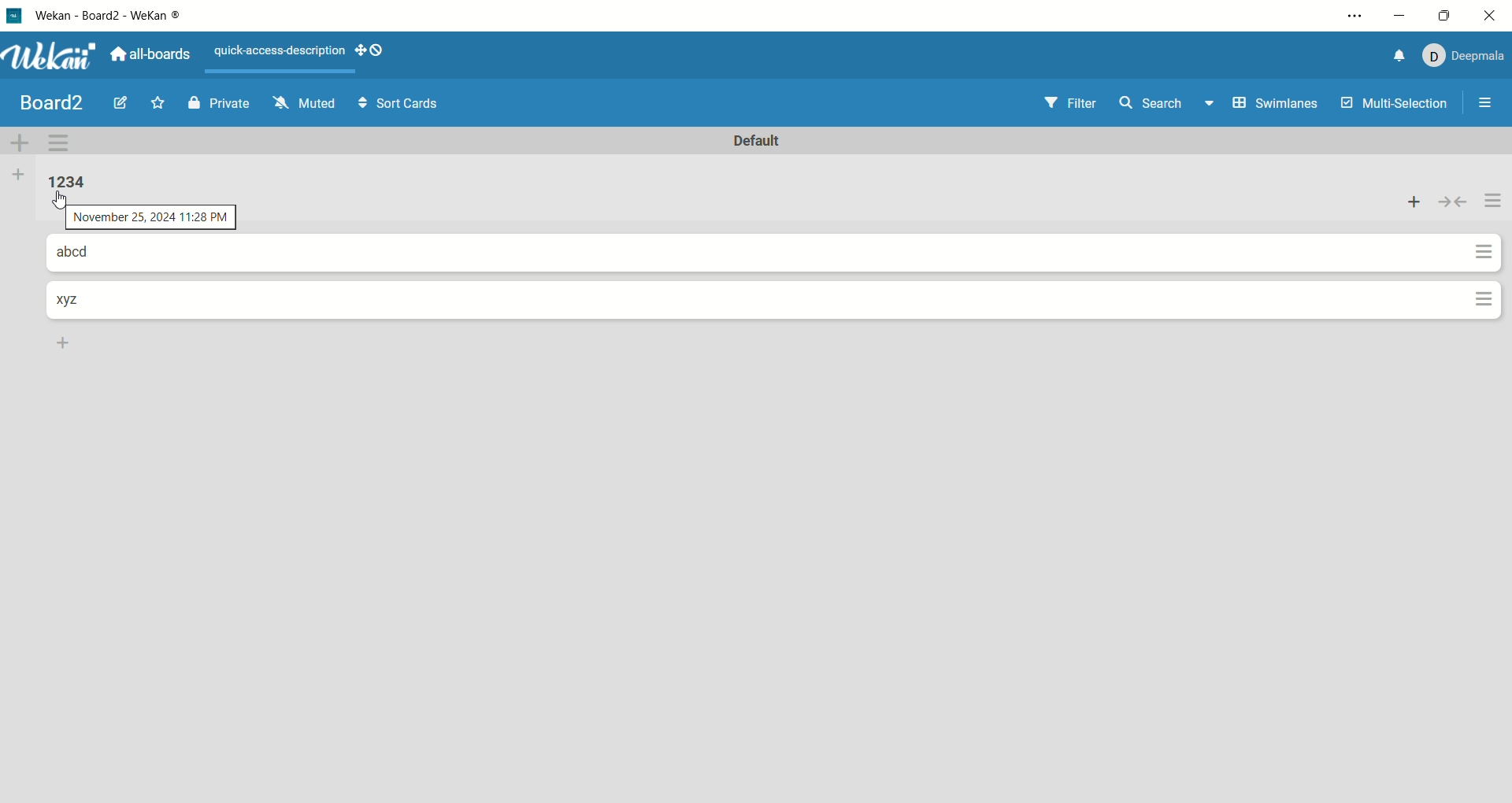  What do you see at coordinates (1411, 199) in the screenshot?
I see `add` at bounding box center [1411, 199].